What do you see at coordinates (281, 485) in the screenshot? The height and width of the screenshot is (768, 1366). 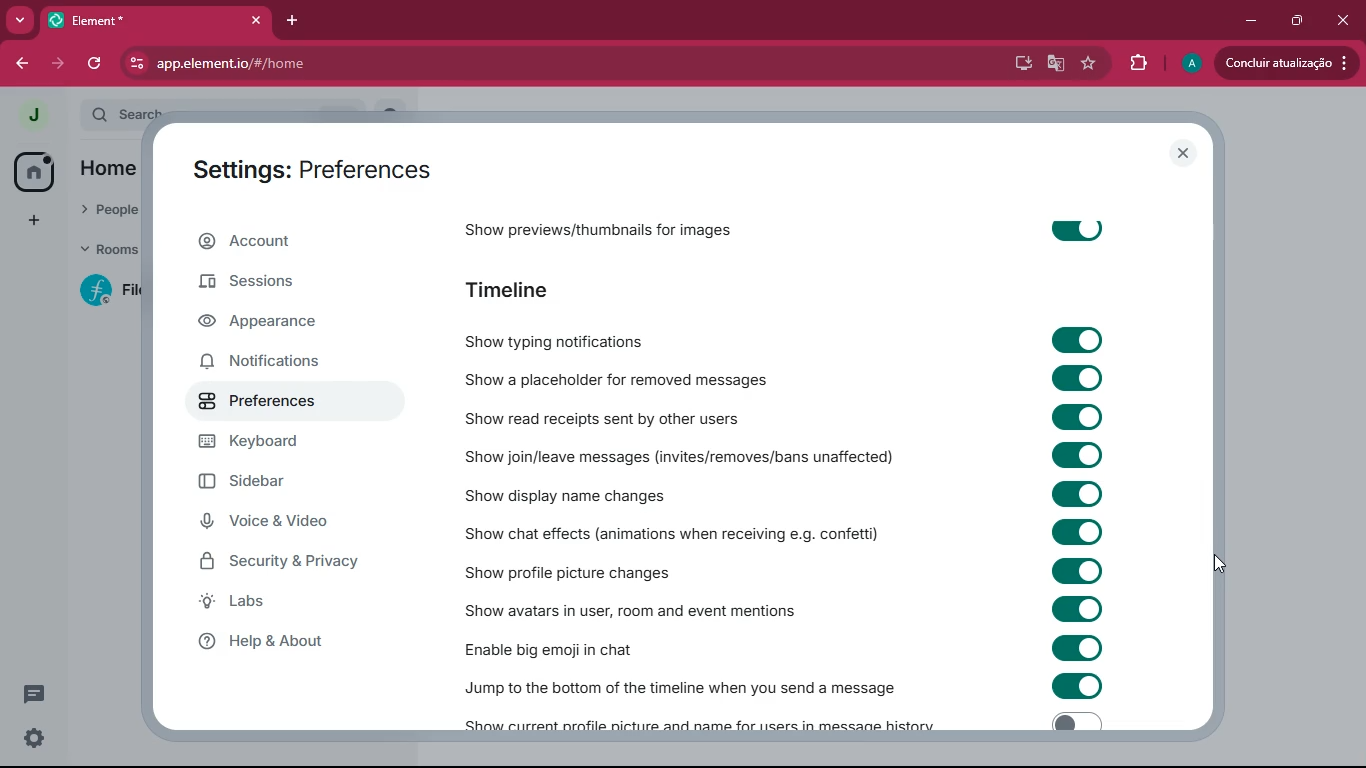 I see `sidebar` at bounding box center [281, 485].